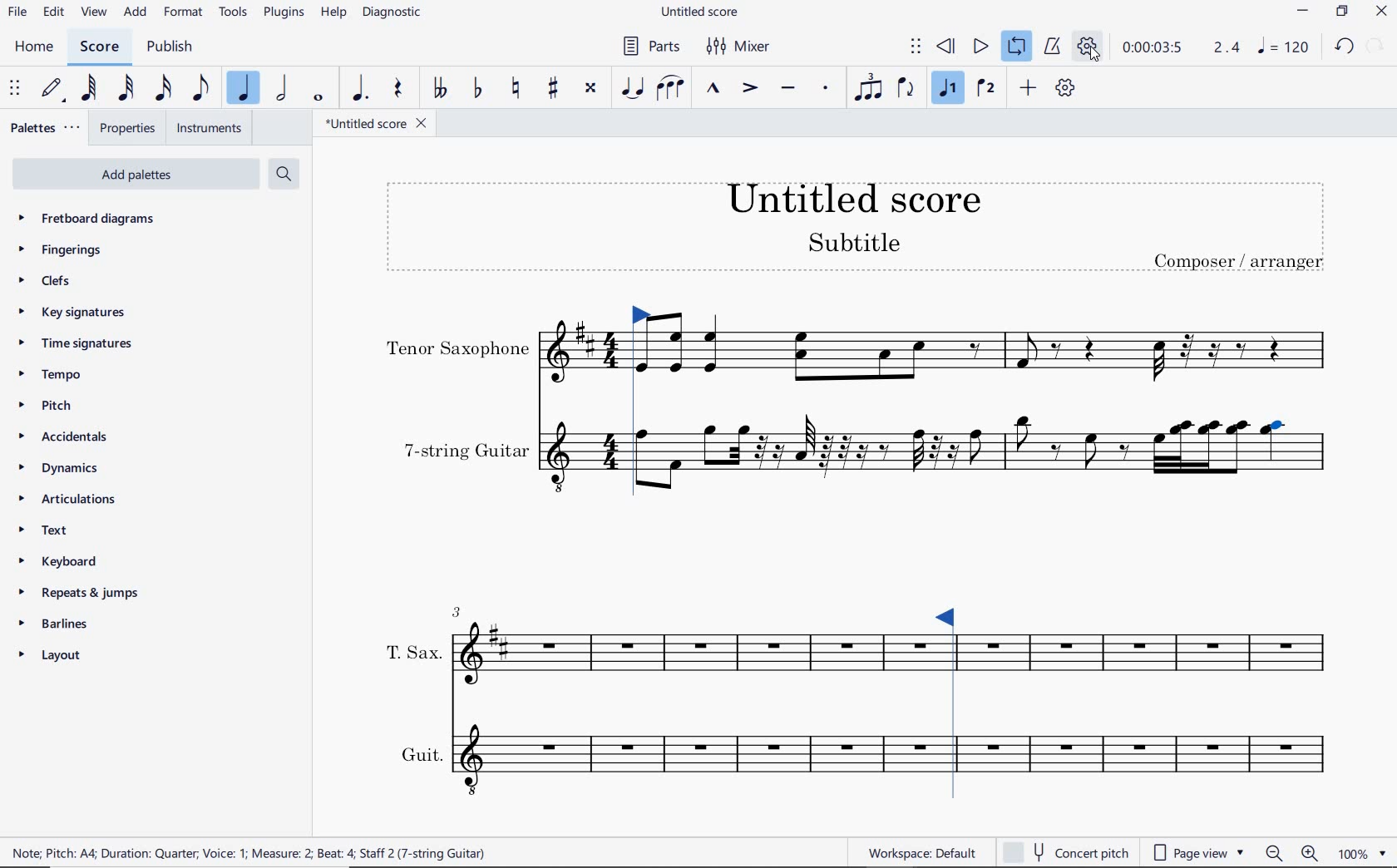  What do you see at coordinates (18, 14) in the screenshot?
I see `FILE` at bounding box center [18, 14].